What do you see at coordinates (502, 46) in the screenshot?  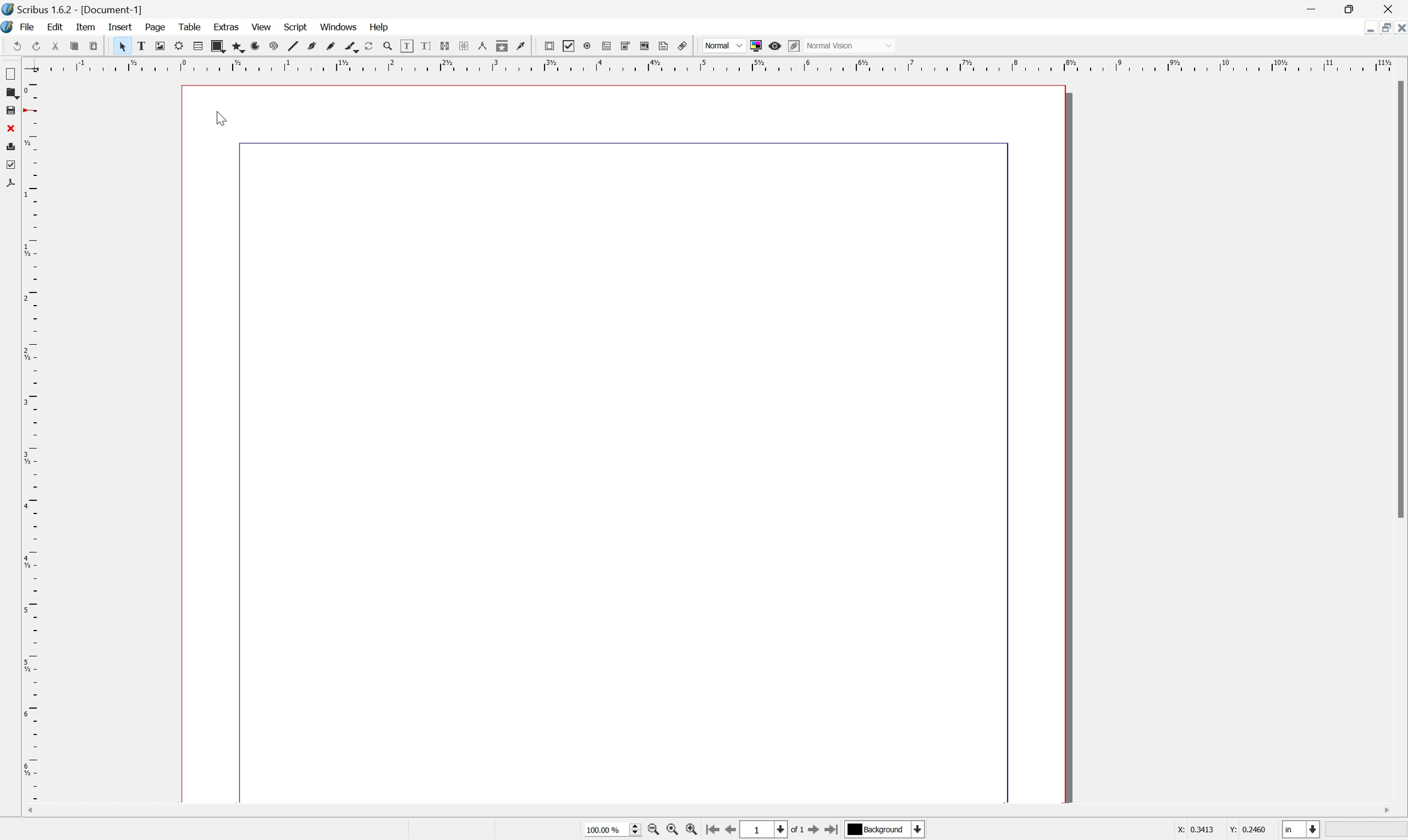 I see `rotate item` at bounding box center [502, 46].